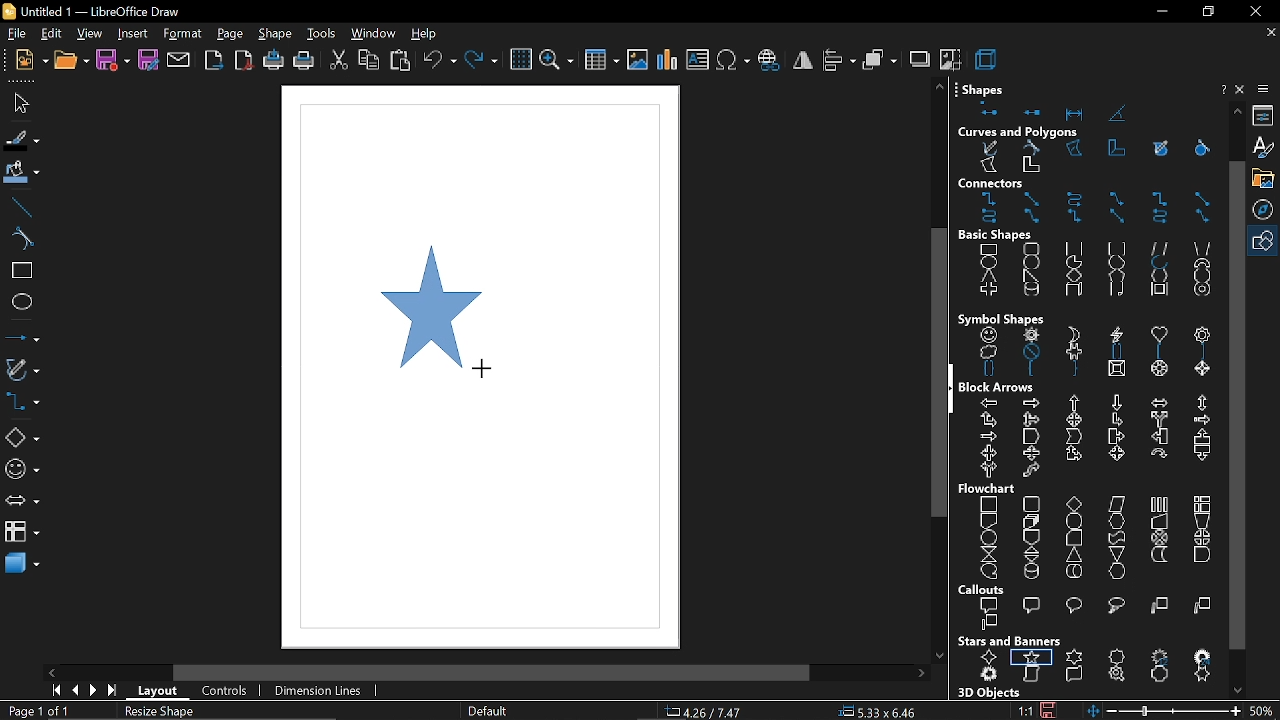 The image size is (1280, 720). I want to click on vertical scroll bar, so click(939, 372).